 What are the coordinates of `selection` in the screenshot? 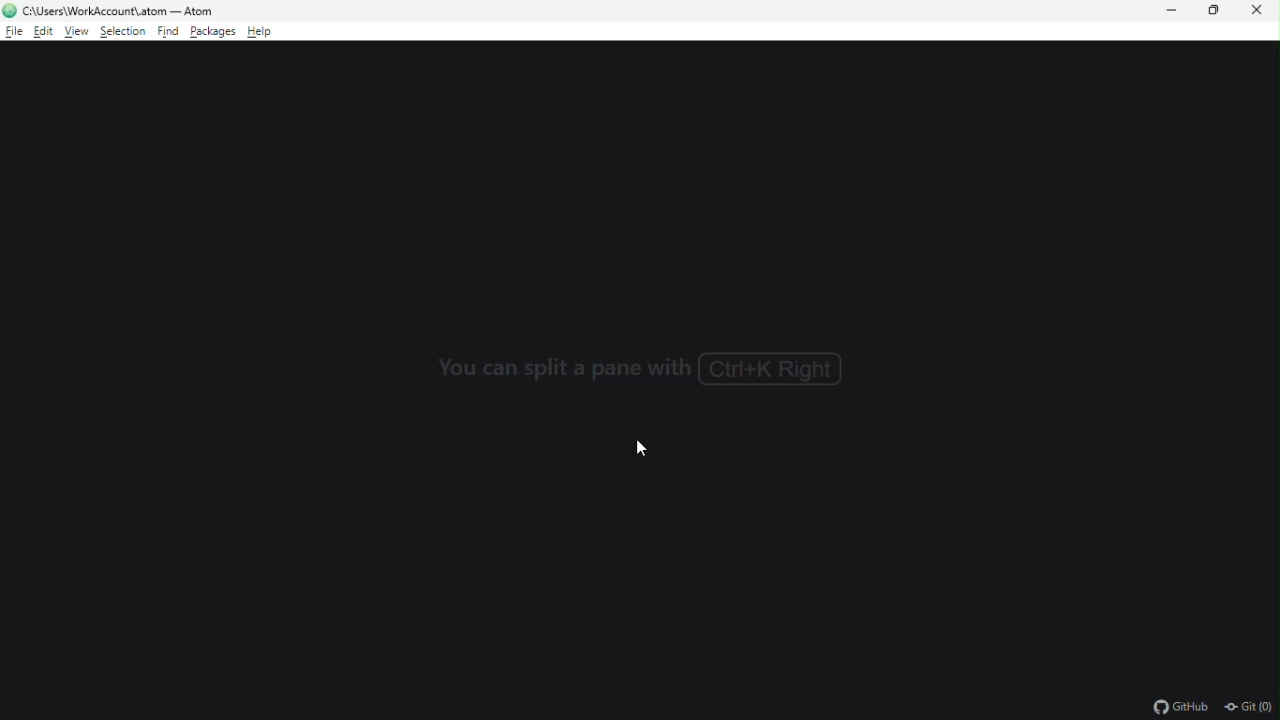 It's located at (125, 31).